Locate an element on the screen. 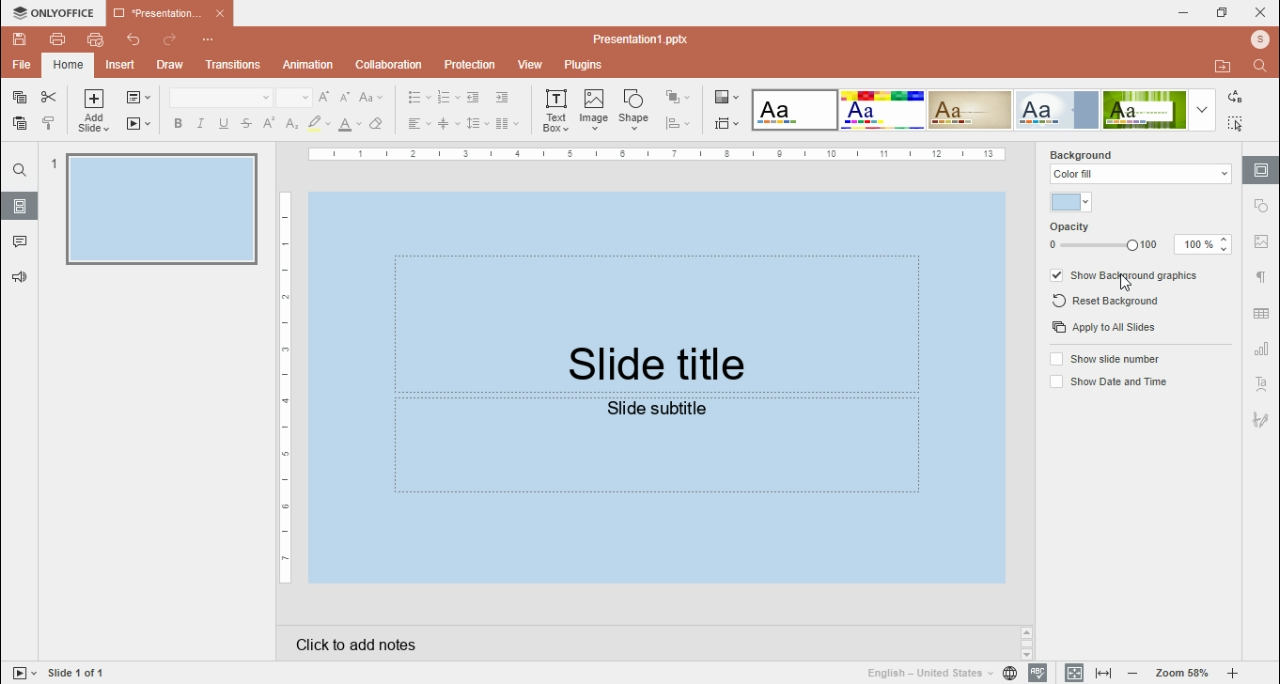  fill color is located at coordinates (1065, 201).